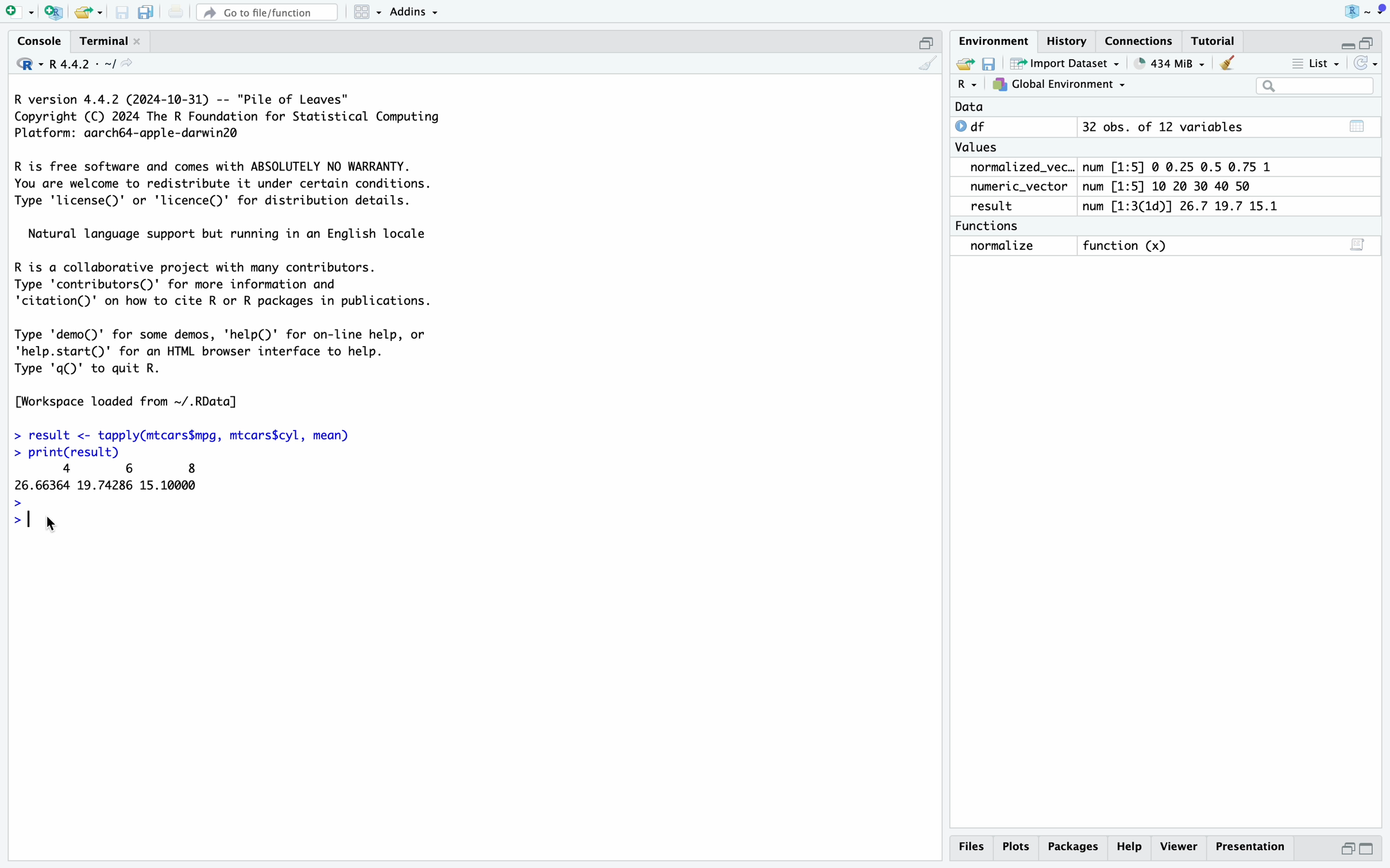 The image size is (1390, 868). I want to click on 434 MiB, so click(1168, 63).